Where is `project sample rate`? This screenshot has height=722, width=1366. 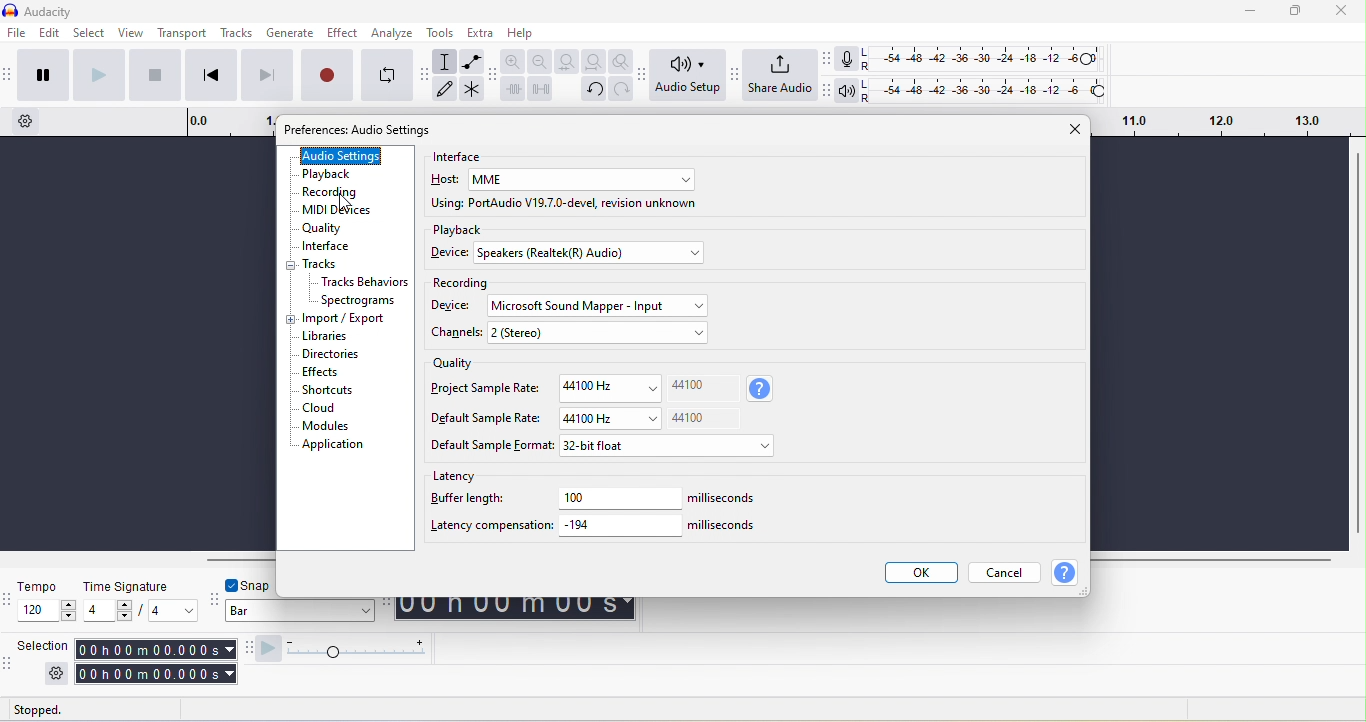 project sample rate is located at coordinates (570, 389).